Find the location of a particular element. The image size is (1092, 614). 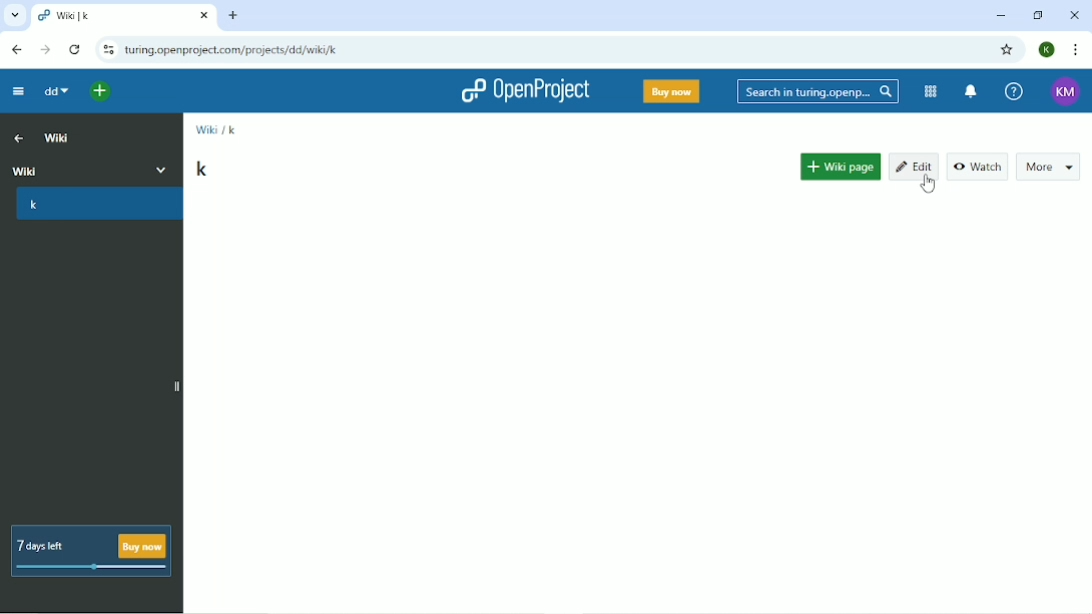

Help is located at coordinates (1012, 90).